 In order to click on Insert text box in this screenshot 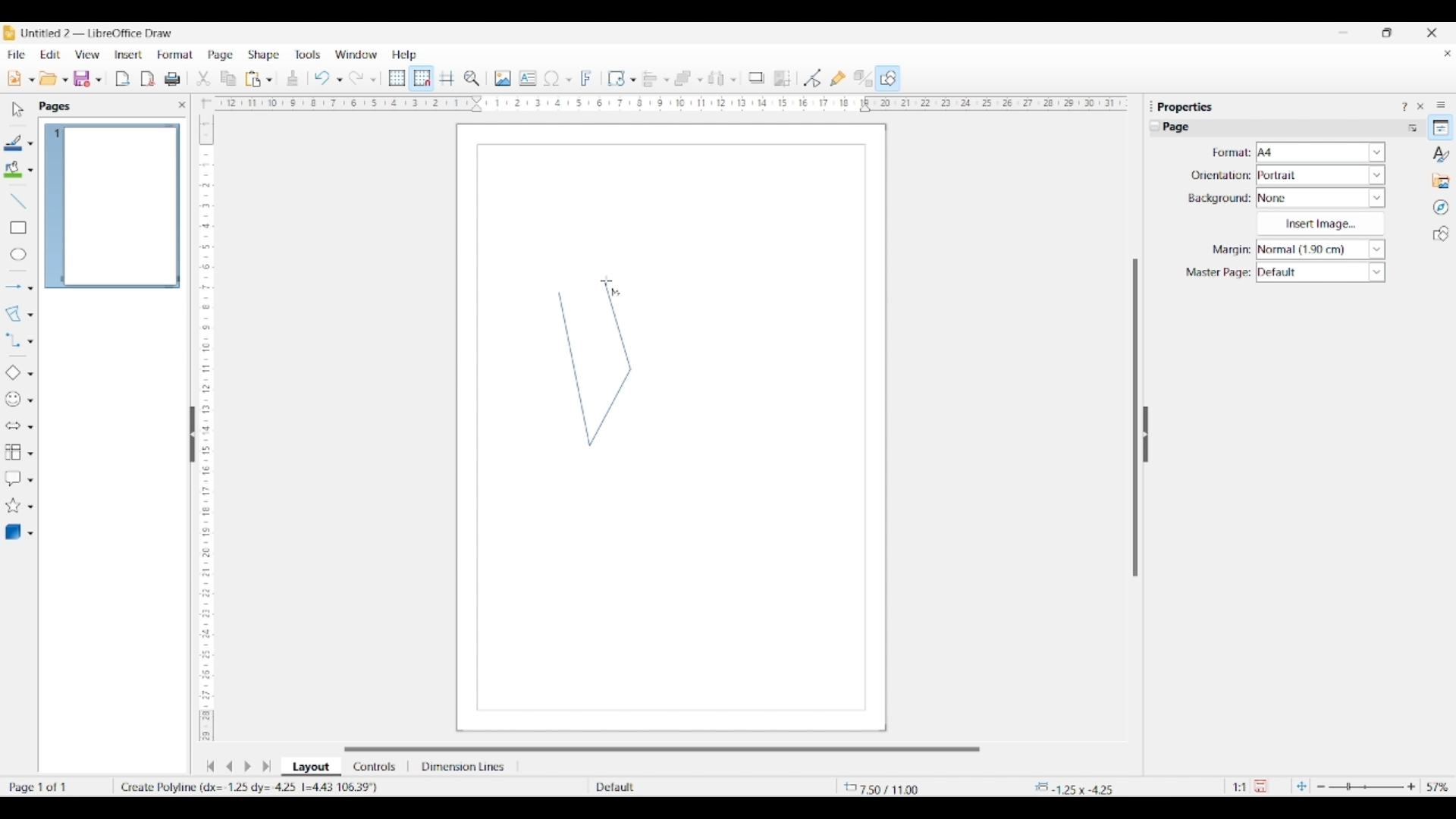, I will do `click(528, 78)`.